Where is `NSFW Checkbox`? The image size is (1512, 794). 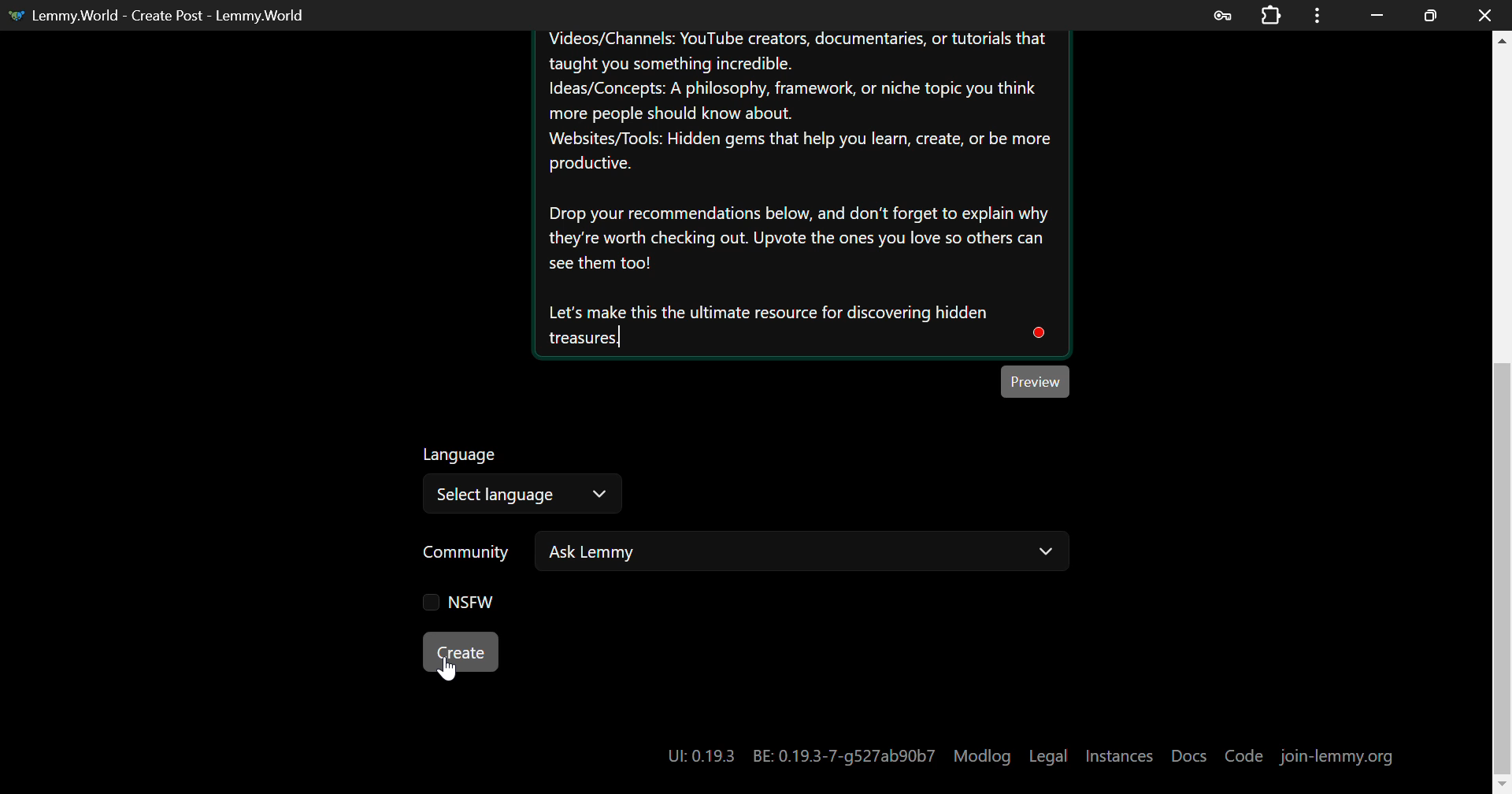 NSFW Checkbox is located at coordinates (452, 603).